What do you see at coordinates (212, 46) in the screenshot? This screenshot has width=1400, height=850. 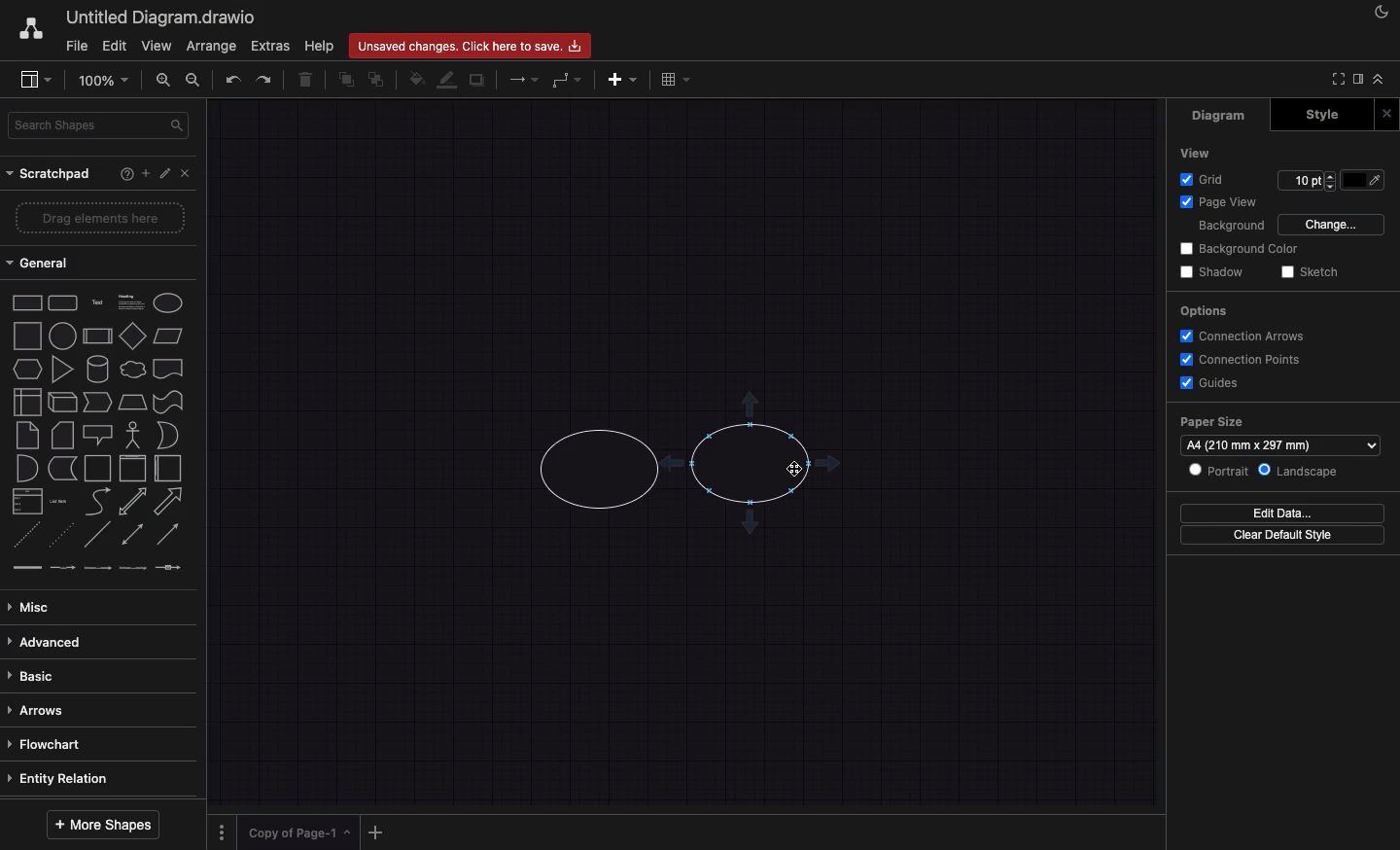 I see `arrange` at bounding box center [212, 46].